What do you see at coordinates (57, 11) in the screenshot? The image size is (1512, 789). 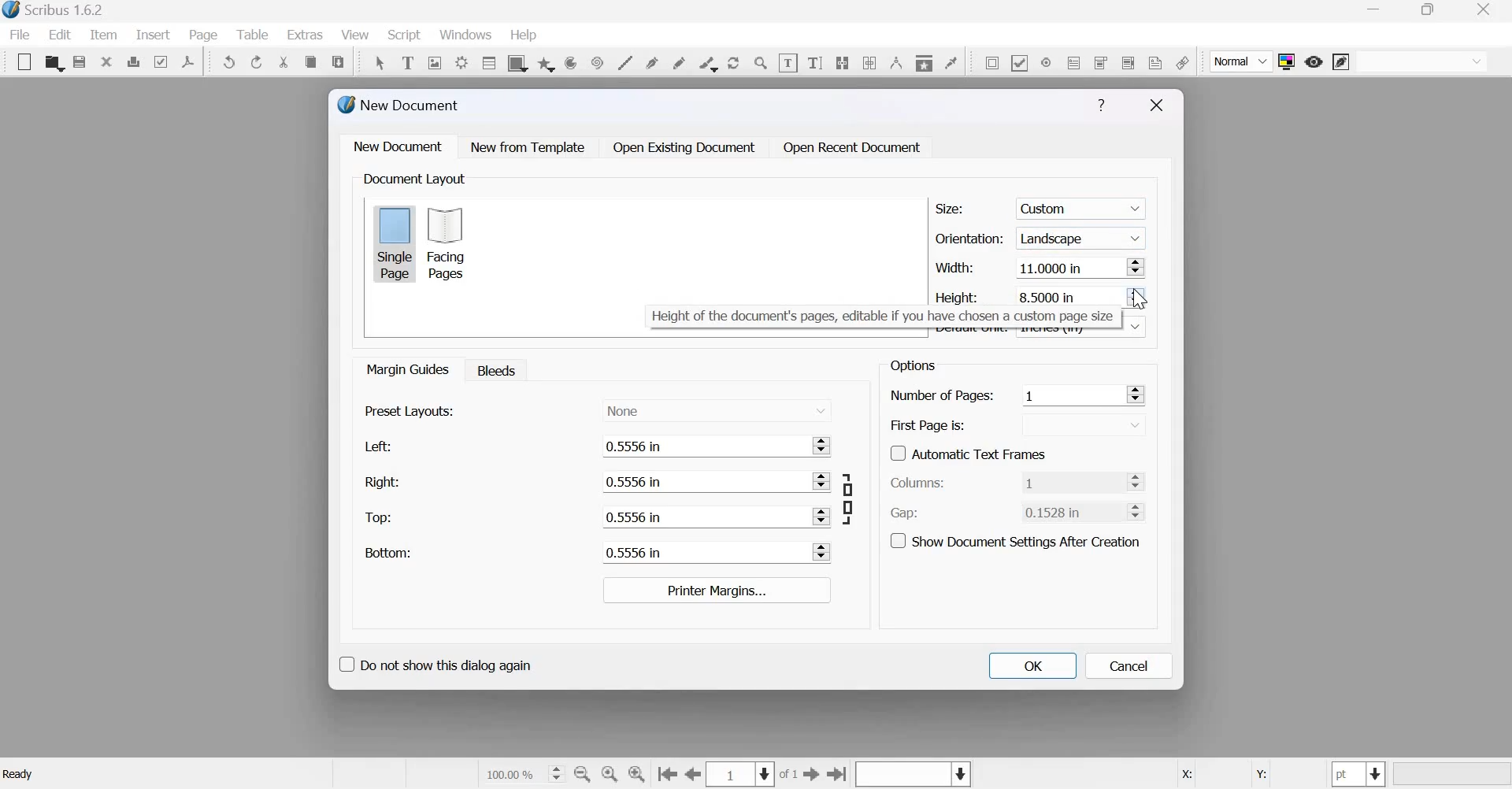 I see `Scribus 1.6.2 - [Document-1]` at bounding box center [57, 11].